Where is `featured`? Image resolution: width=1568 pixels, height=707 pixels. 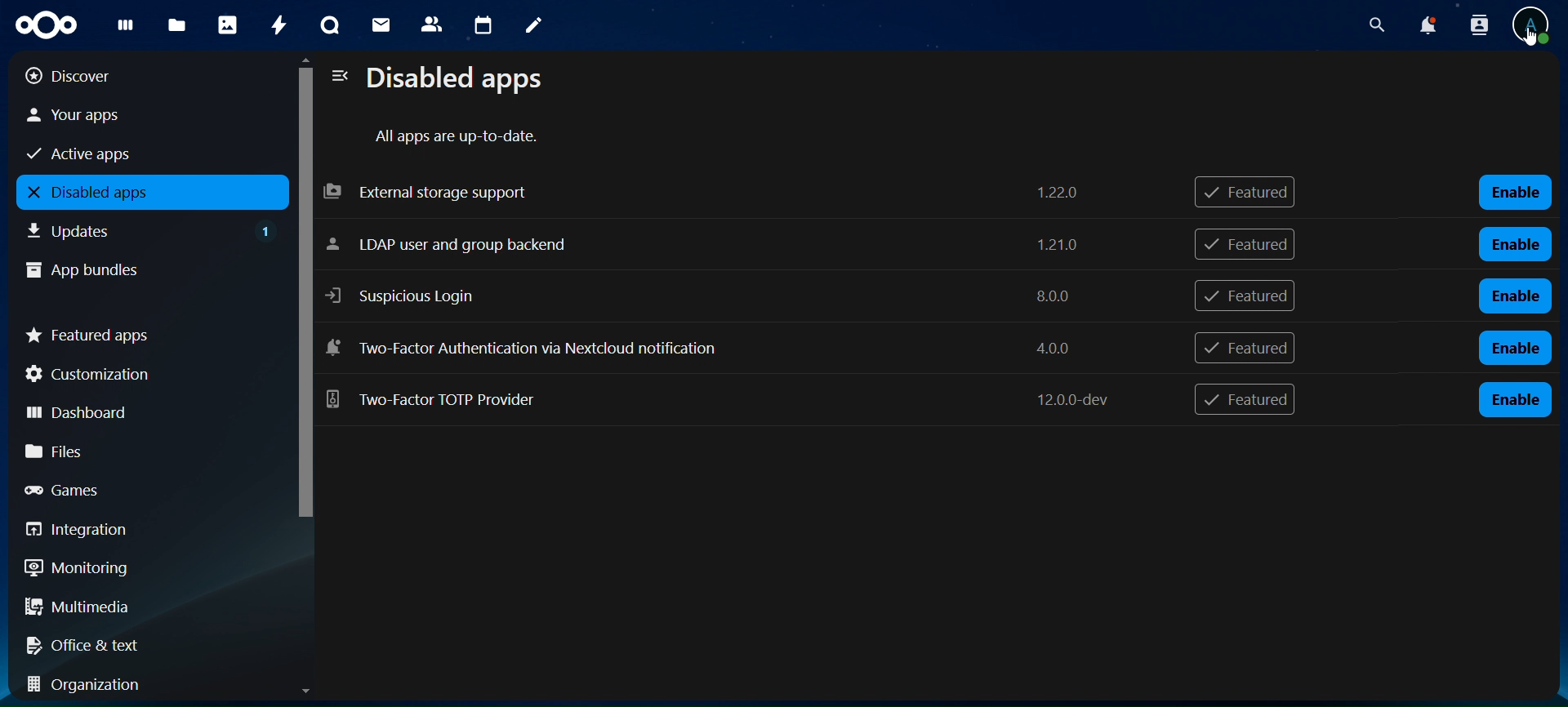
featured is located at coordinates (1250, 193).